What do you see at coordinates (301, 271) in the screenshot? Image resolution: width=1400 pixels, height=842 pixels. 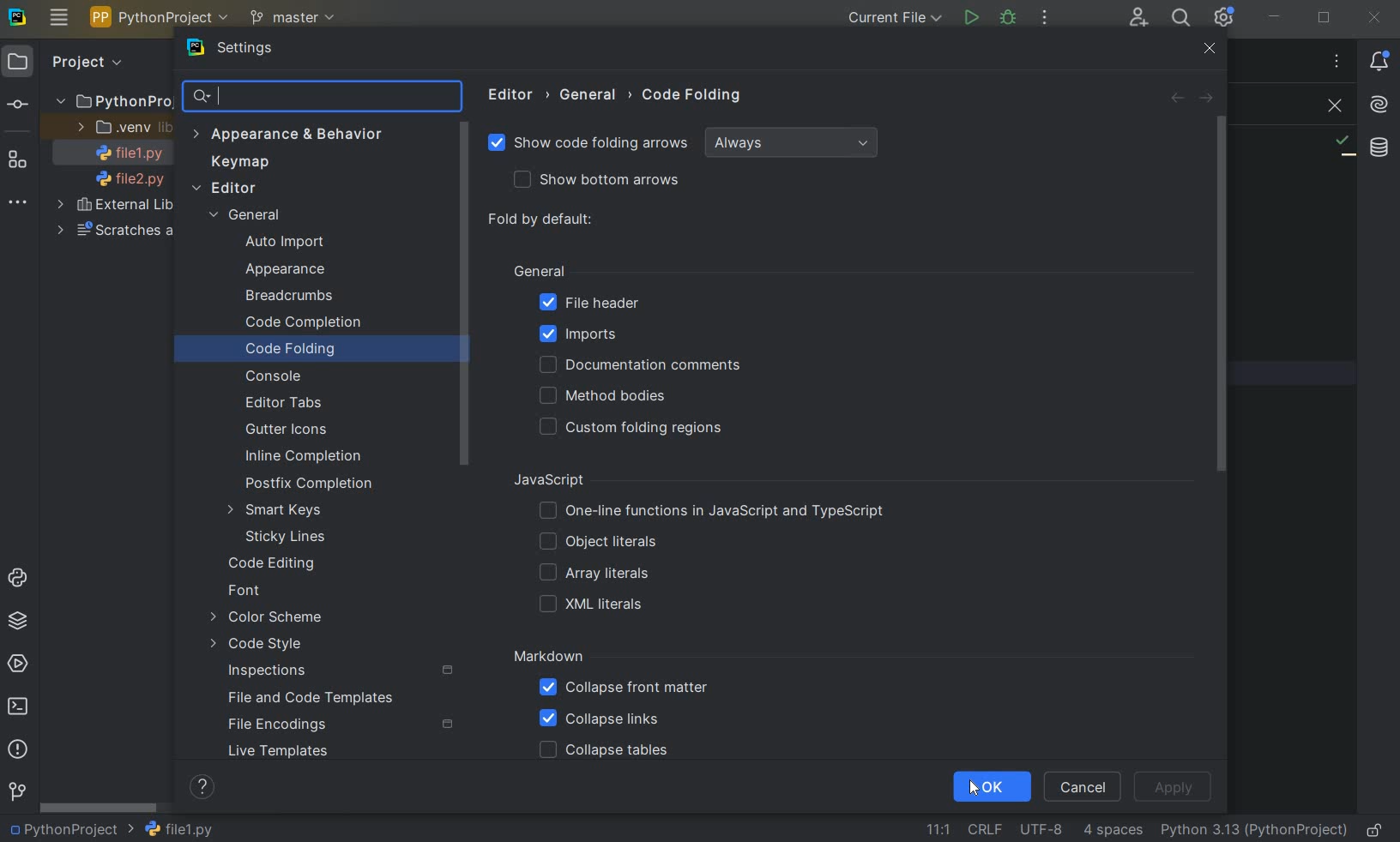 I see `APPEARANCE` at bounding box center [301, 271].